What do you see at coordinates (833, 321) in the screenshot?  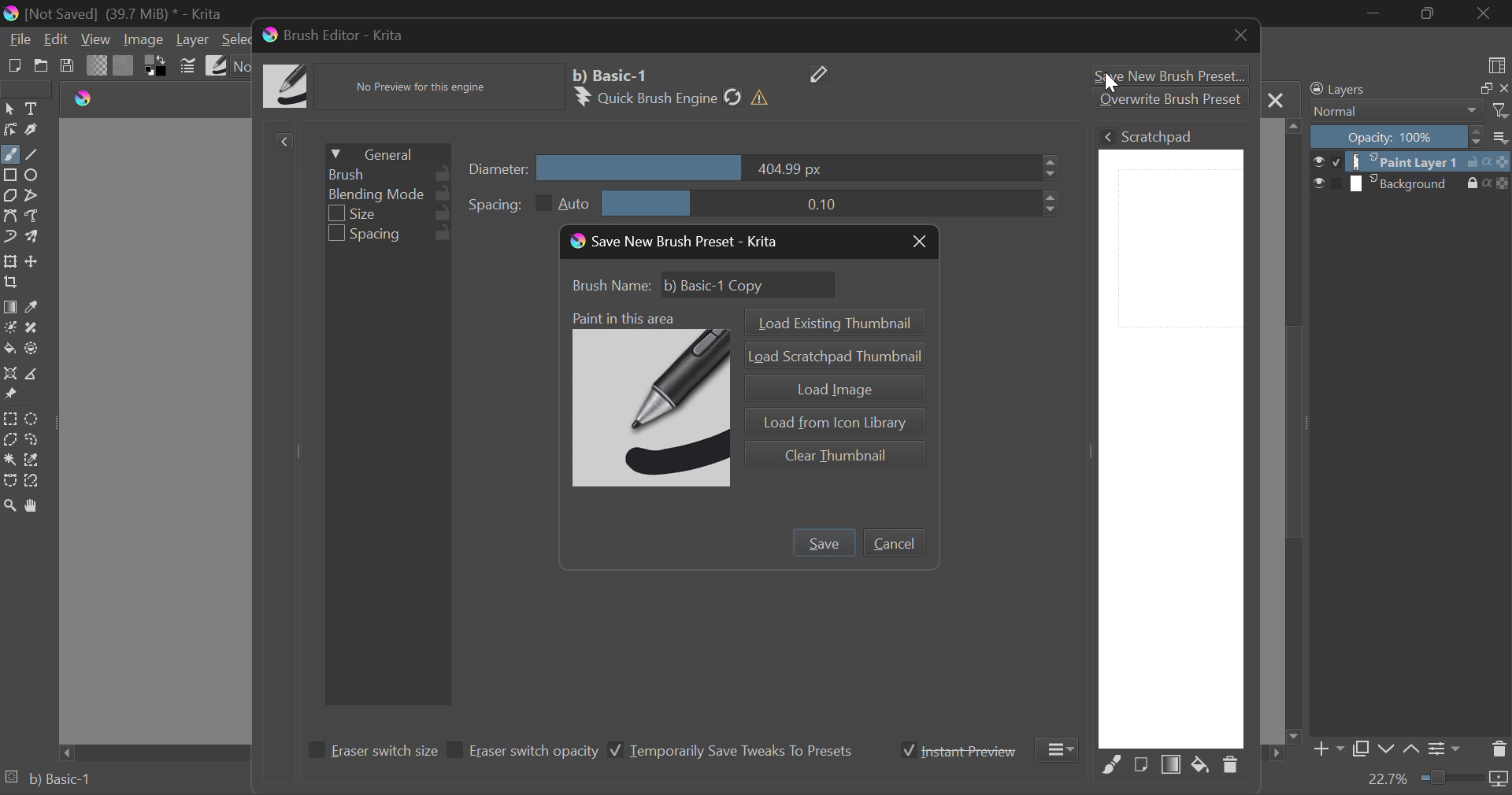 I see `Load Existing Thumbnail` at bounding box center [833, 321].